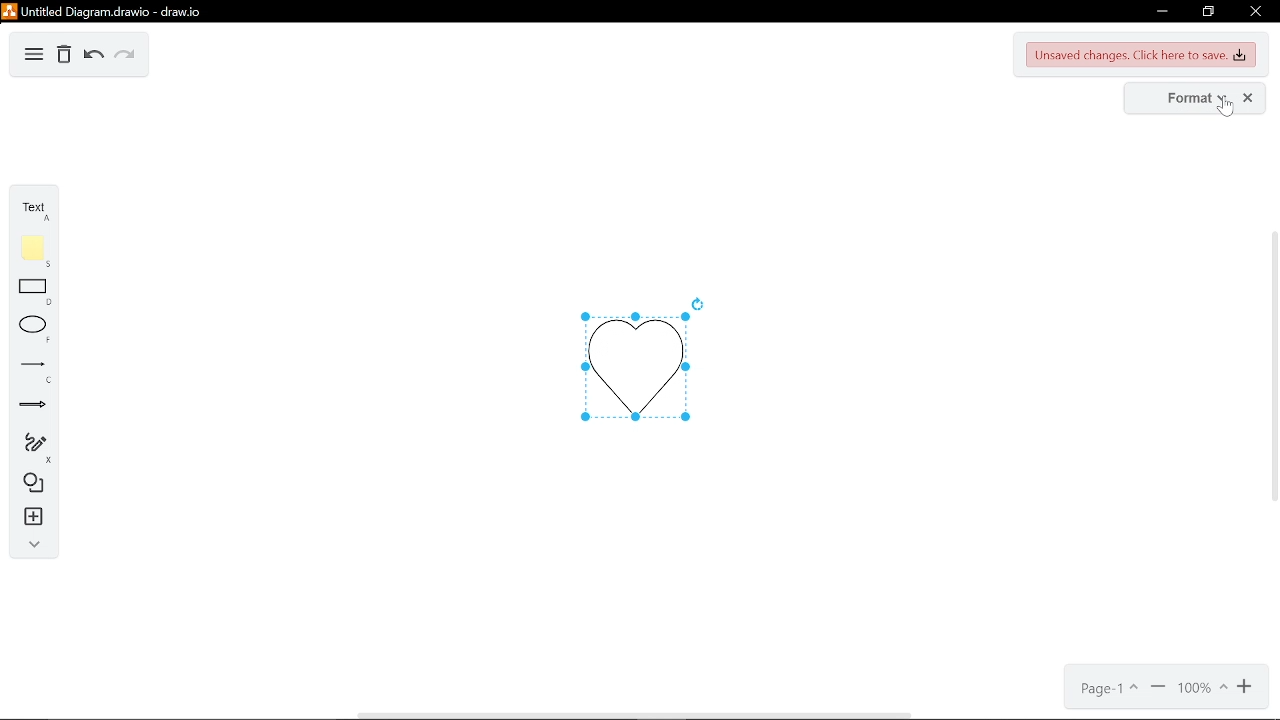 The height and width of the screenshot is (720, 1280). I want to click on page, so click(1105, 689).